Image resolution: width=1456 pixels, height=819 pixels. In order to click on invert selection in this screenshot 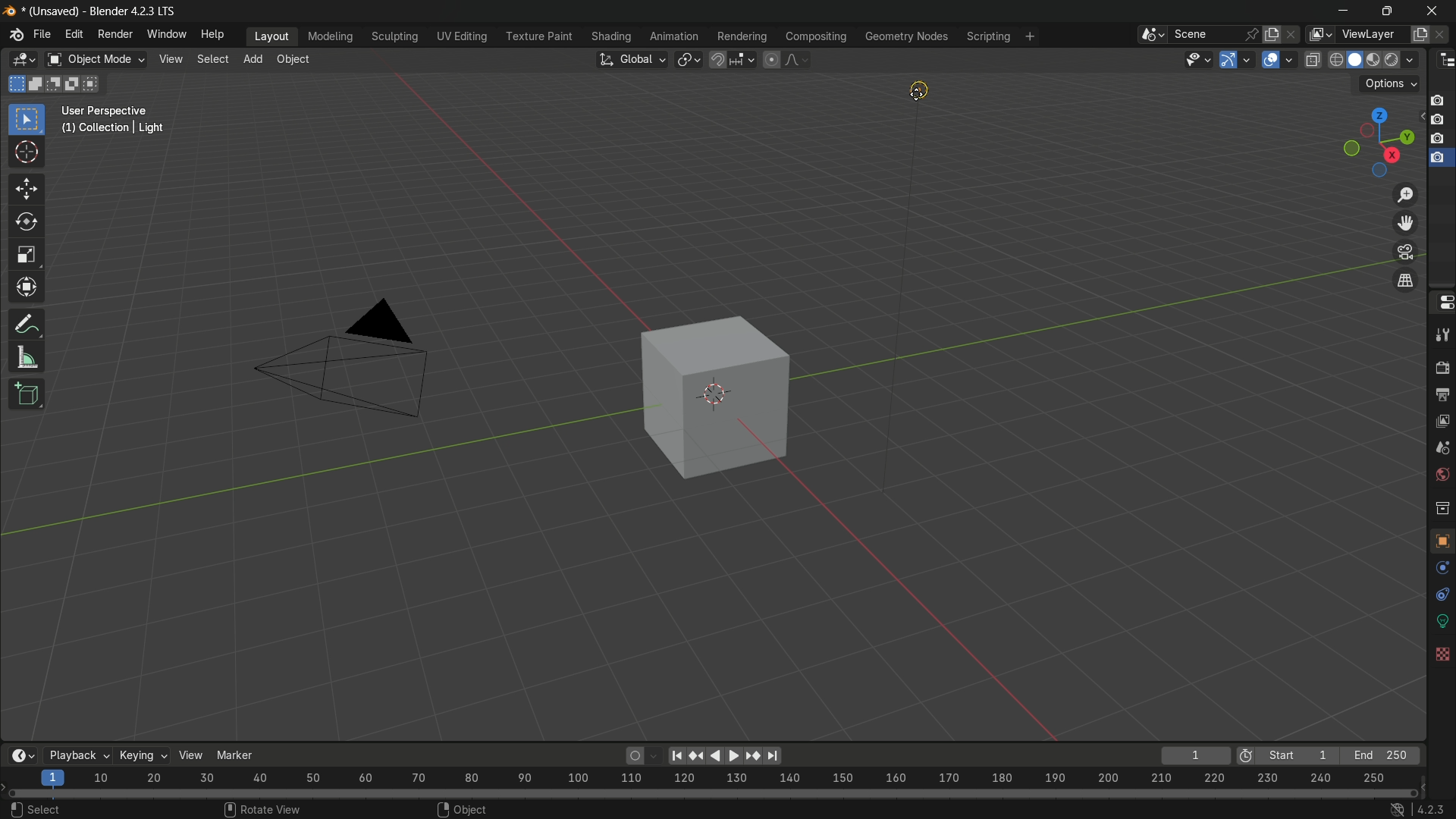, I will do `click(78, 83)`.